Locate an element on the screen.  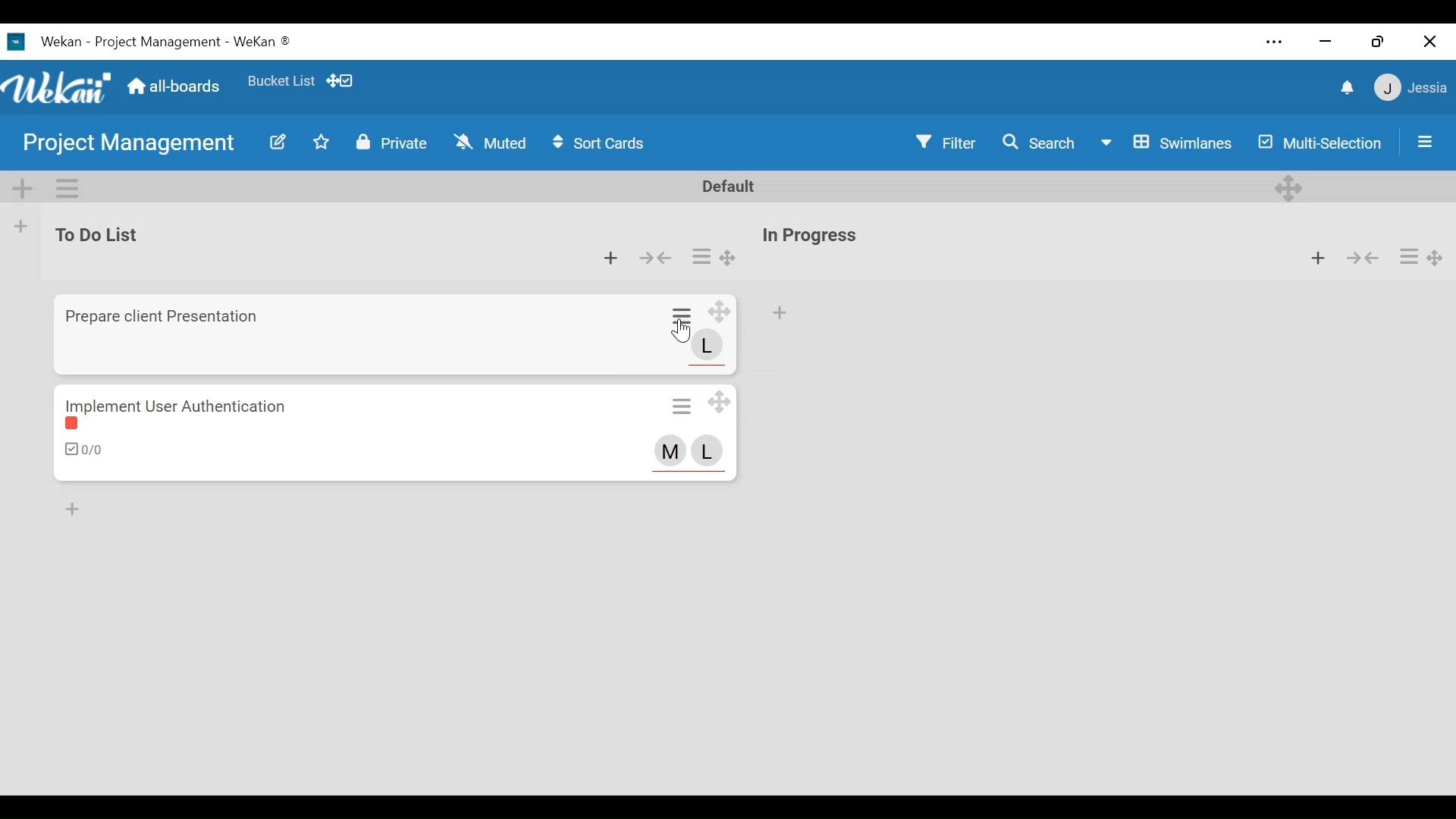
member settings is located at coordinates (1410, 85).